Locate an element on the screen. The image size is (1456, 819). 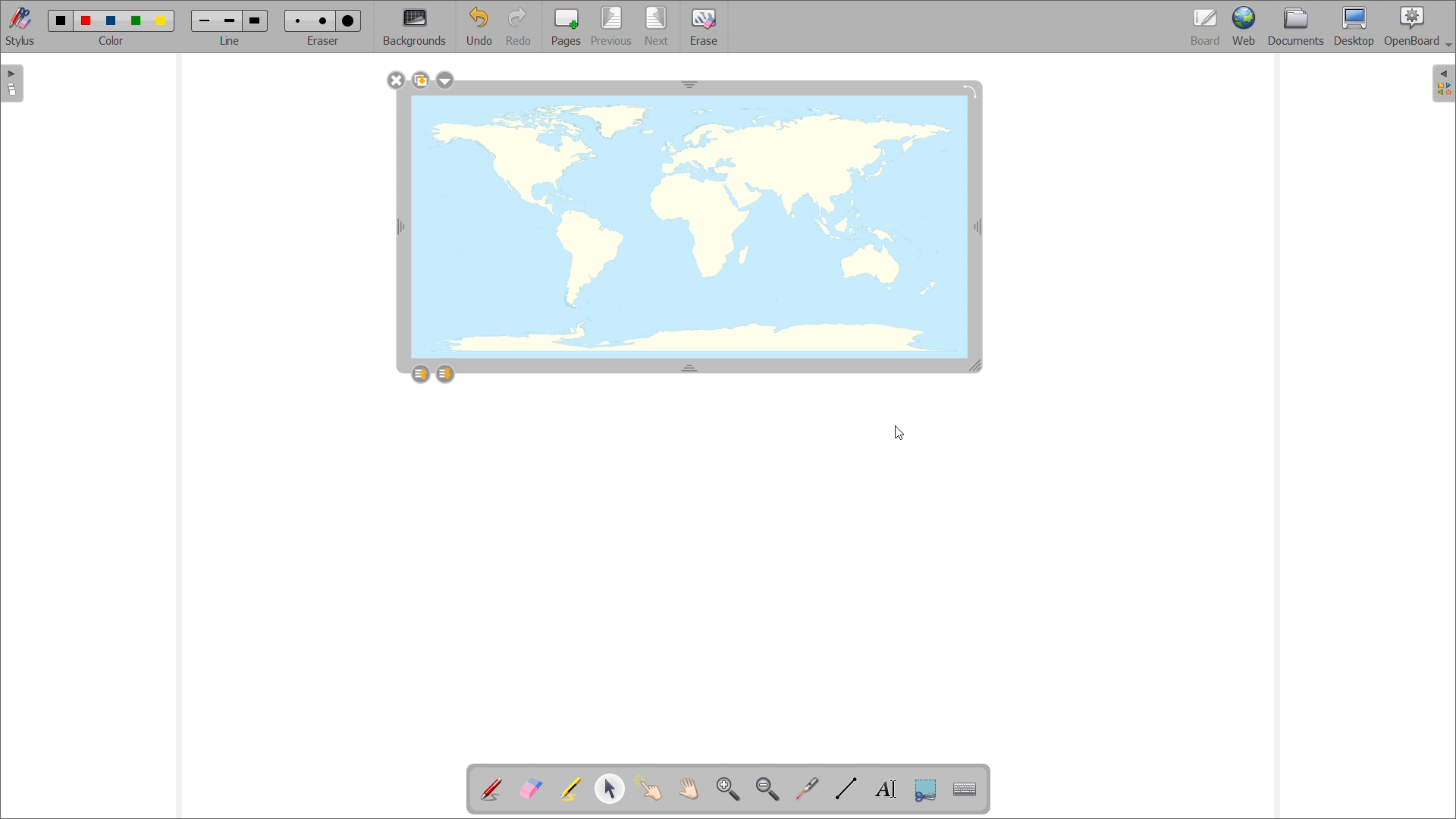
options is located at coordinates (445, 80).